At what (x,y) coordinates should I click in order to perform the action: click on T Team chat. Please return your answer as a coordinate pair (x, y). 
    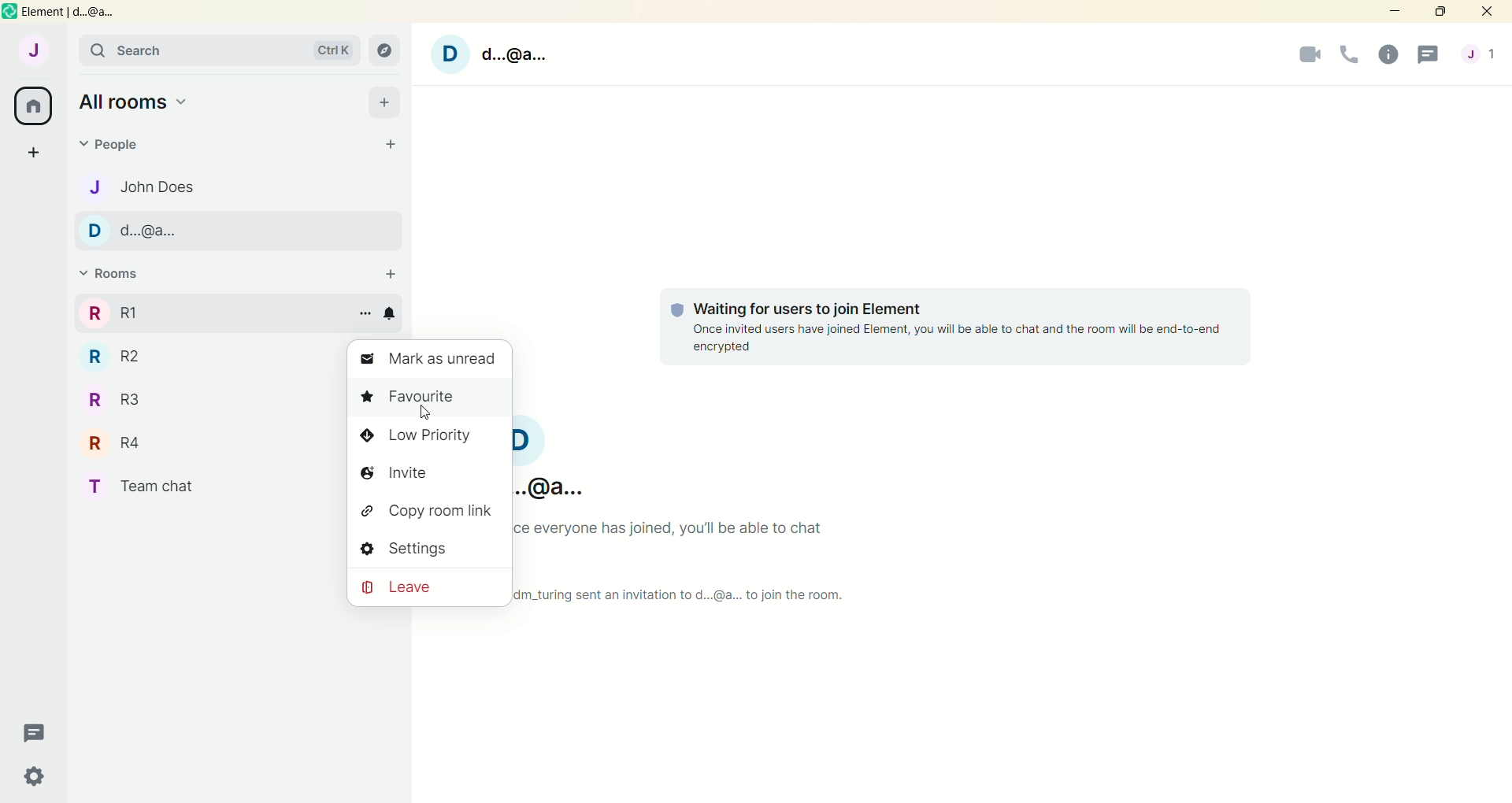
    Looking at the image, I should click on (134, 484).